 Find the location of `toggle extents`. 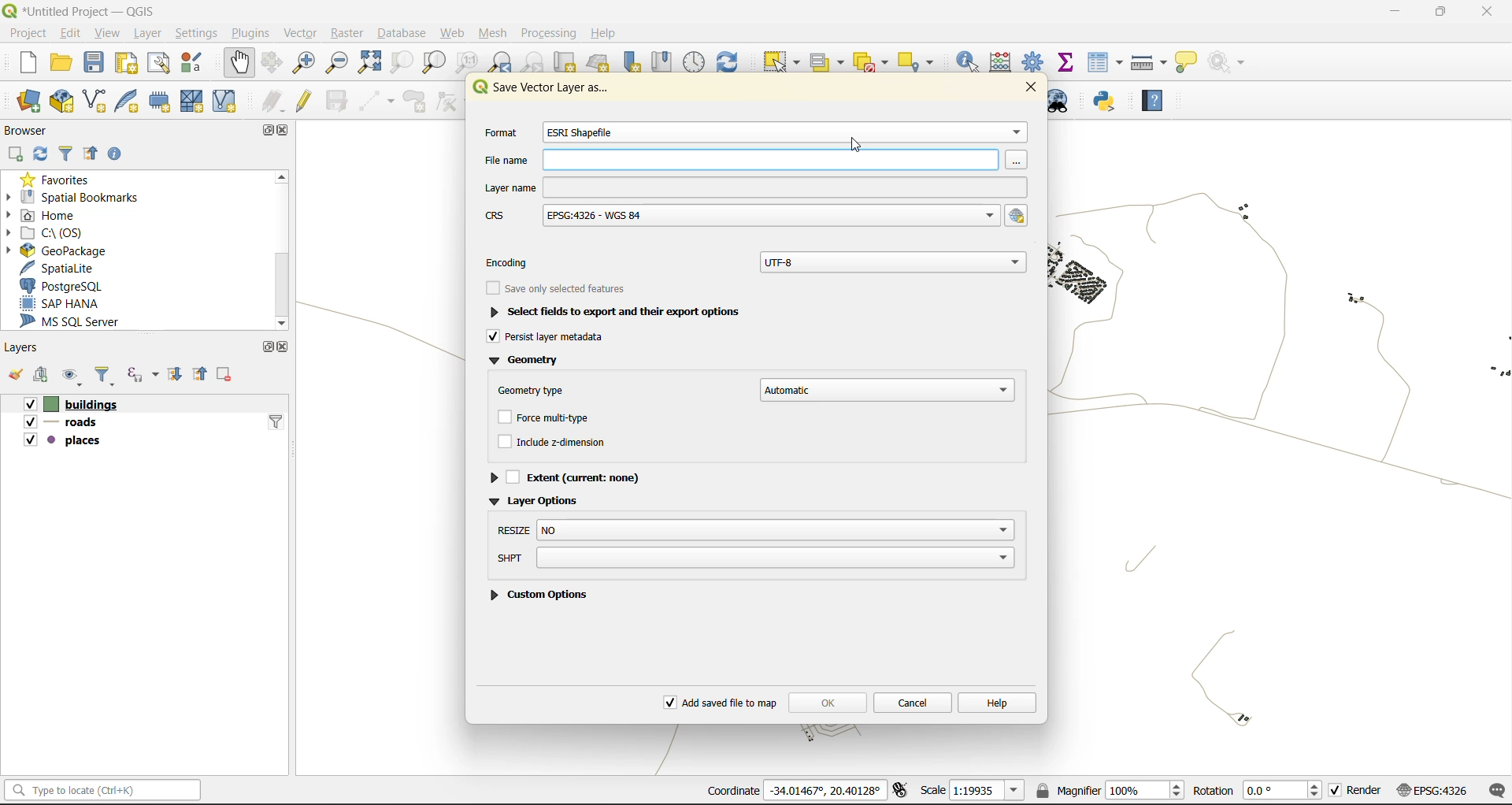

toggle extents is located at coordinates (903, 791).